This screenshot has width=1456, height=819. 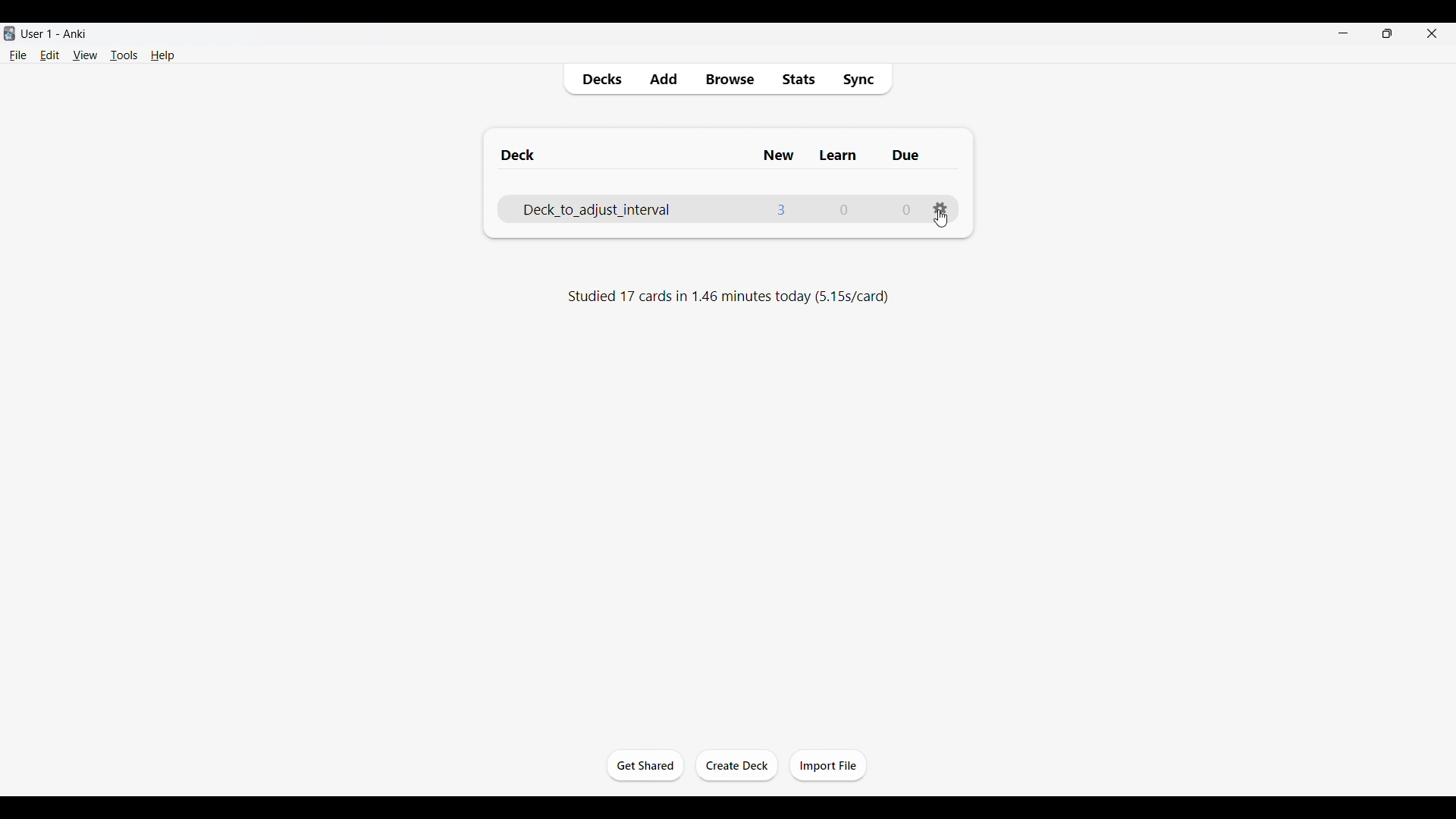 I want to click on Number of new cards, so click(x=780, y=209).